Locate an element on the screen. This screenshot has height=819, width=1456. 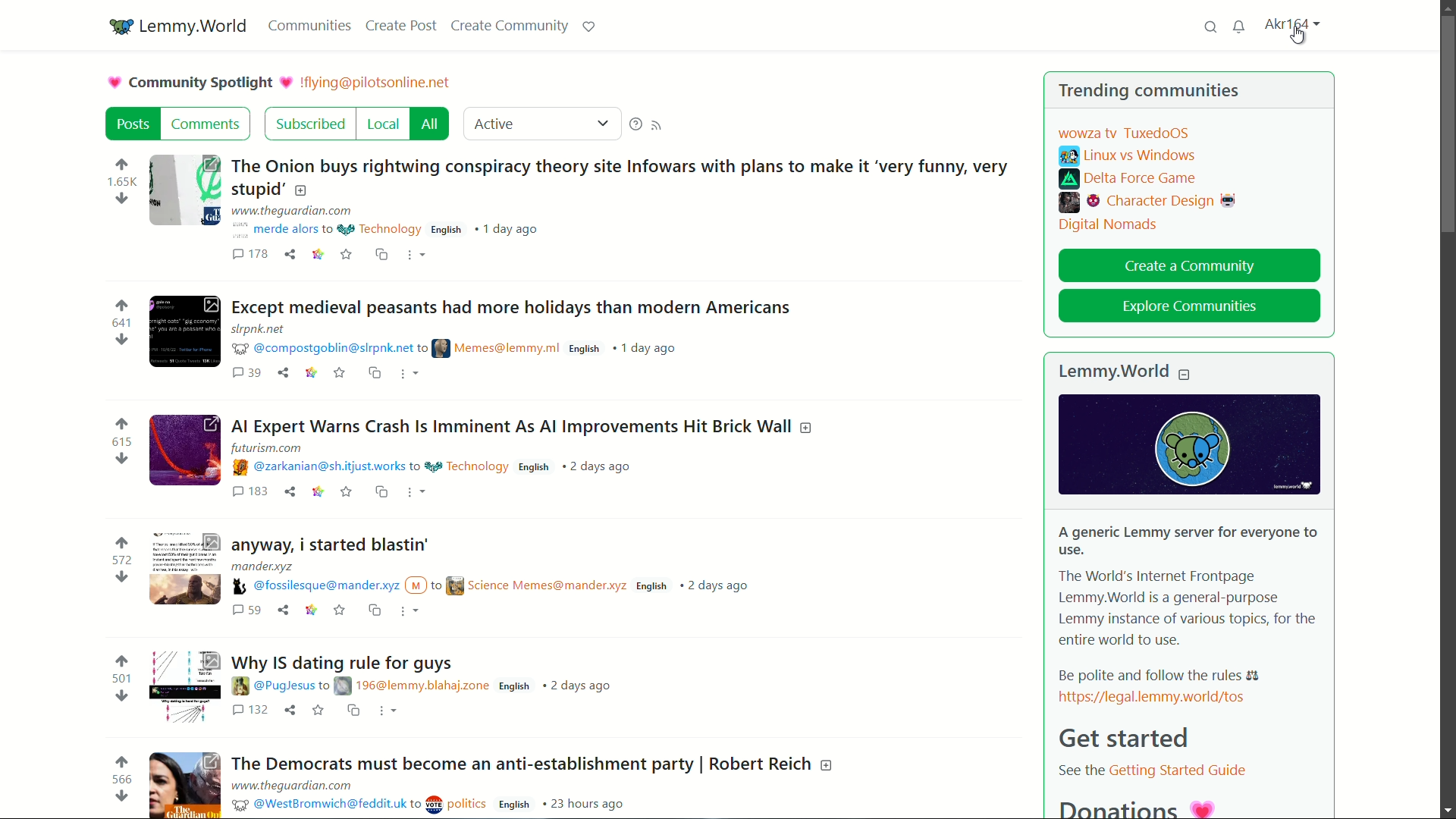
saves is located at coordinates (345, 254).